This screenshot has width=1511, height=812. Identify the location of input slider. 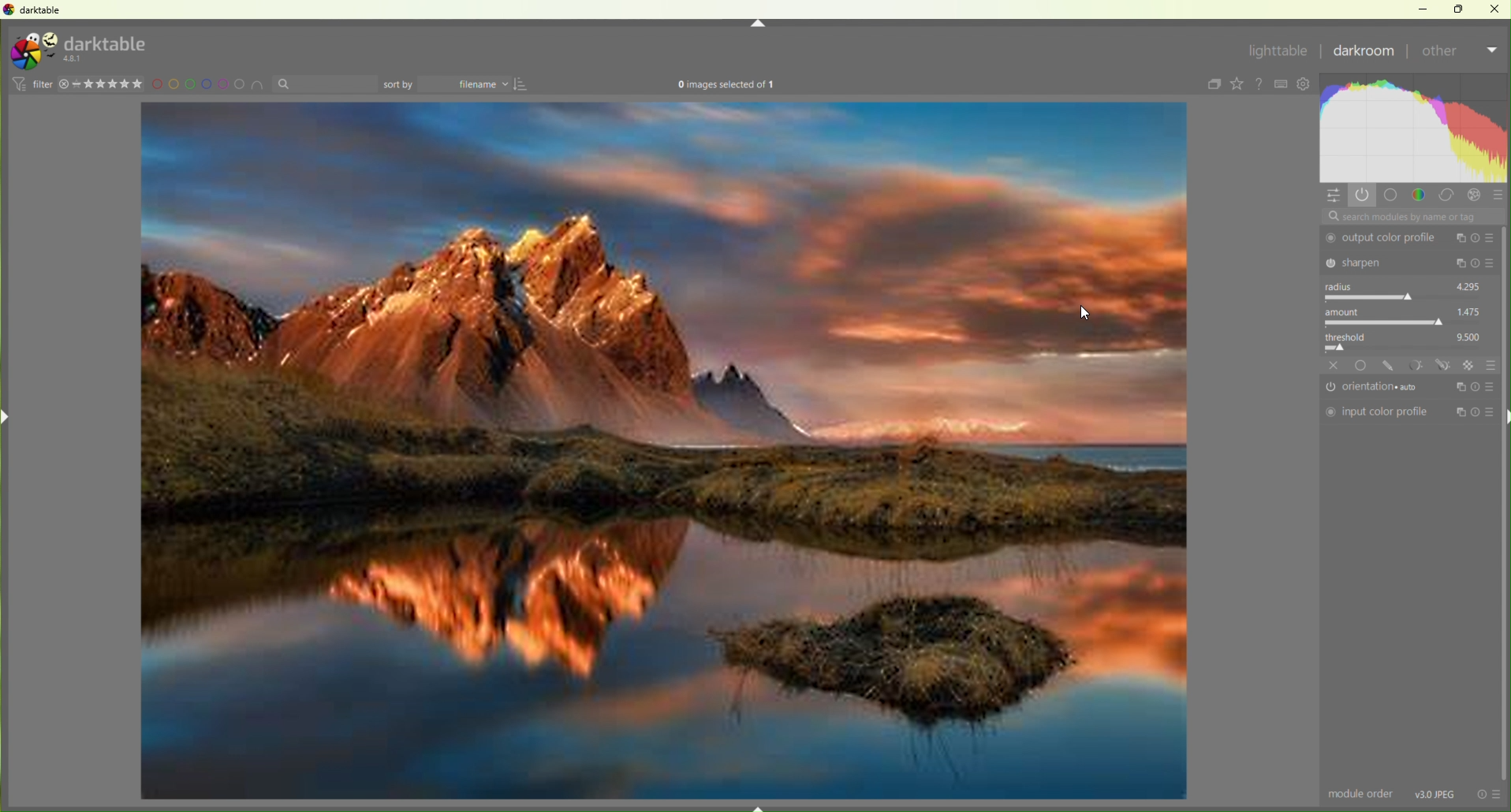
(1405, 322).